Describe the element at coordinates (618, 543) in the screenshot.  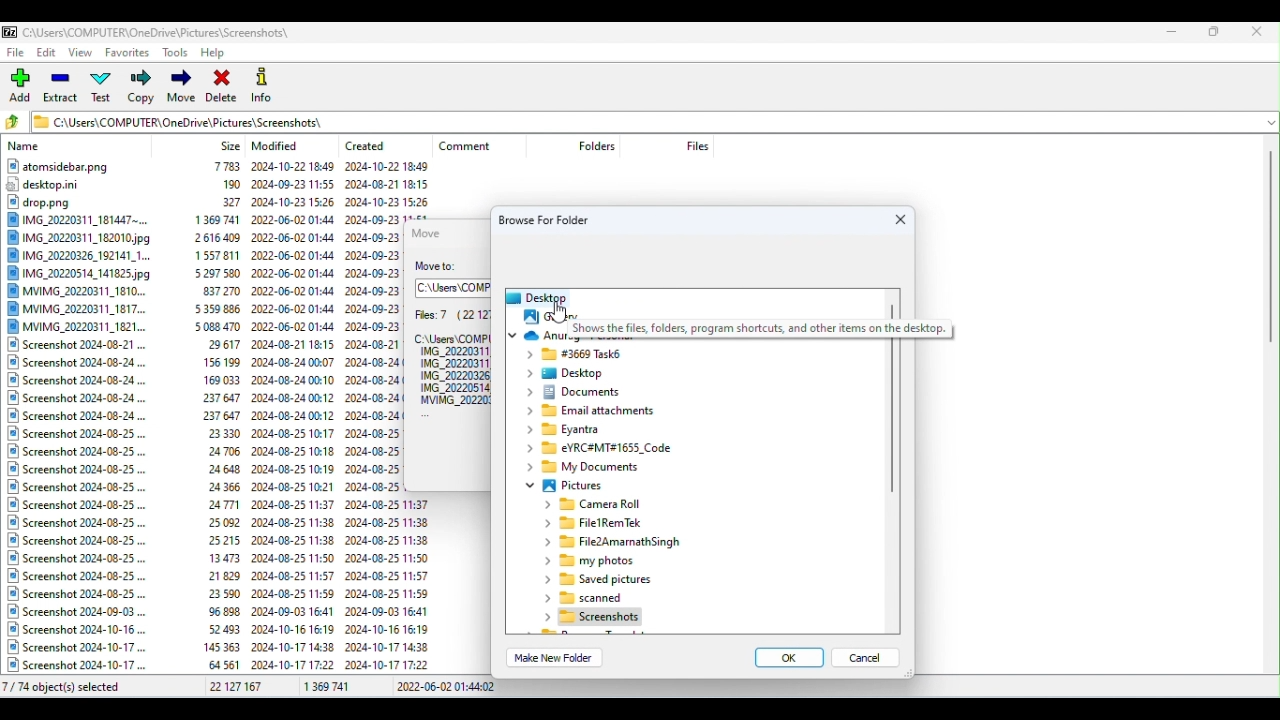
I see `File` at that location.